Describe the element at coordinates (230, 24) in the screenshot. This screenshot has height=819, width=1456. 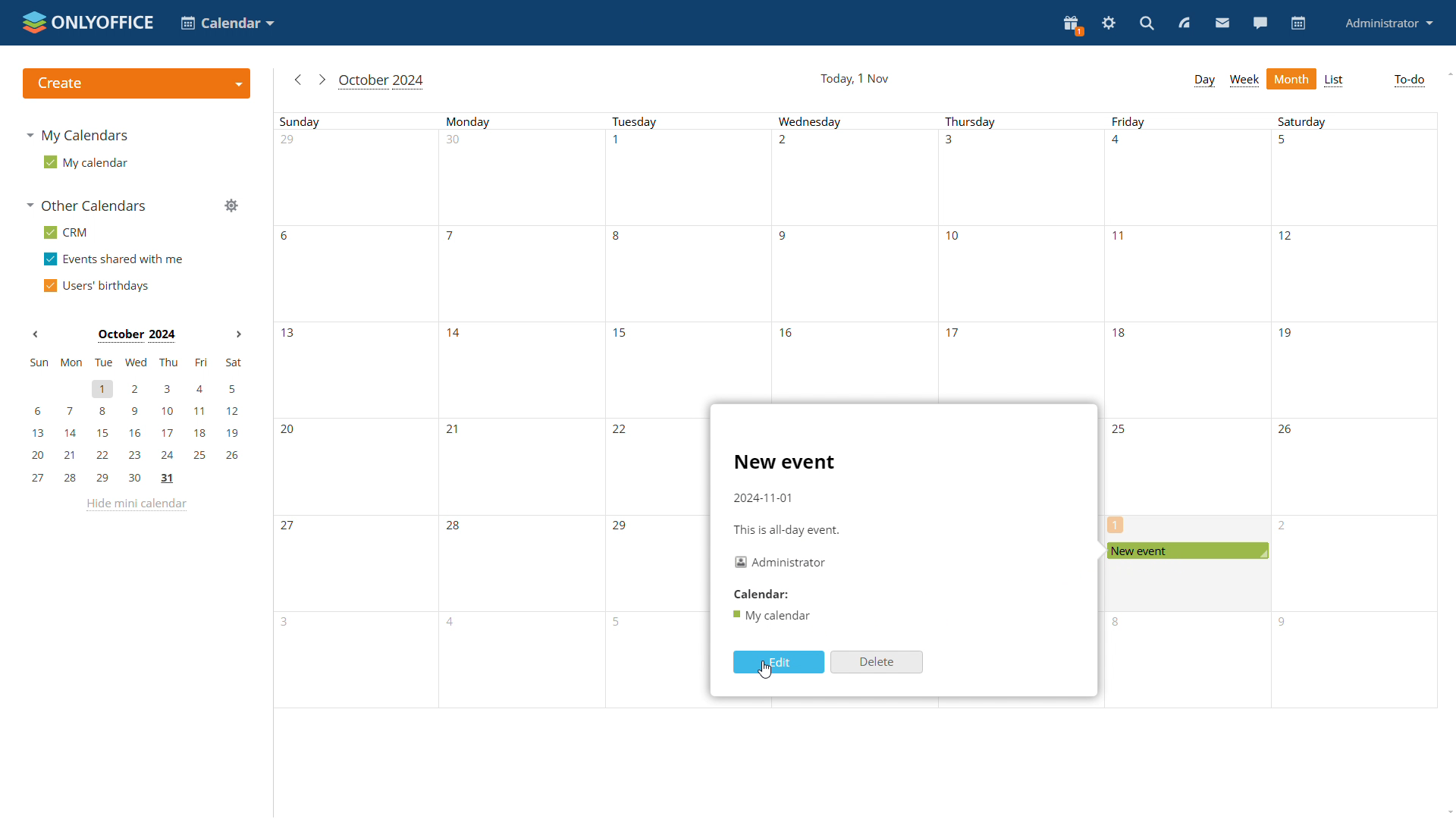
I see `select application` at that location.